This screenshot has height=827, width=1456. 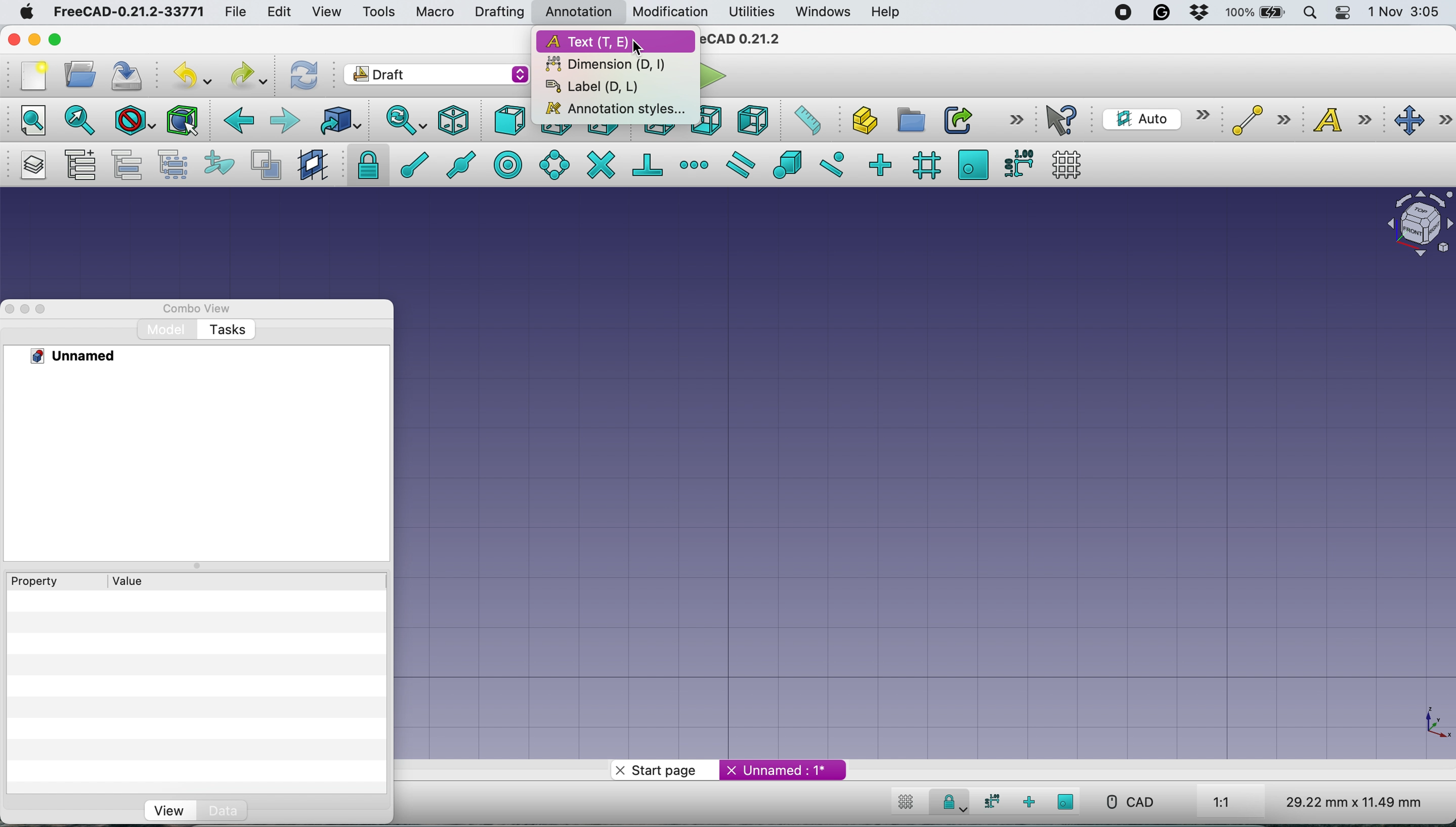 What do you see at coordinates (1153, 119) in the screenshot?
I see `current working plane` at bounding box center [1153, 119].